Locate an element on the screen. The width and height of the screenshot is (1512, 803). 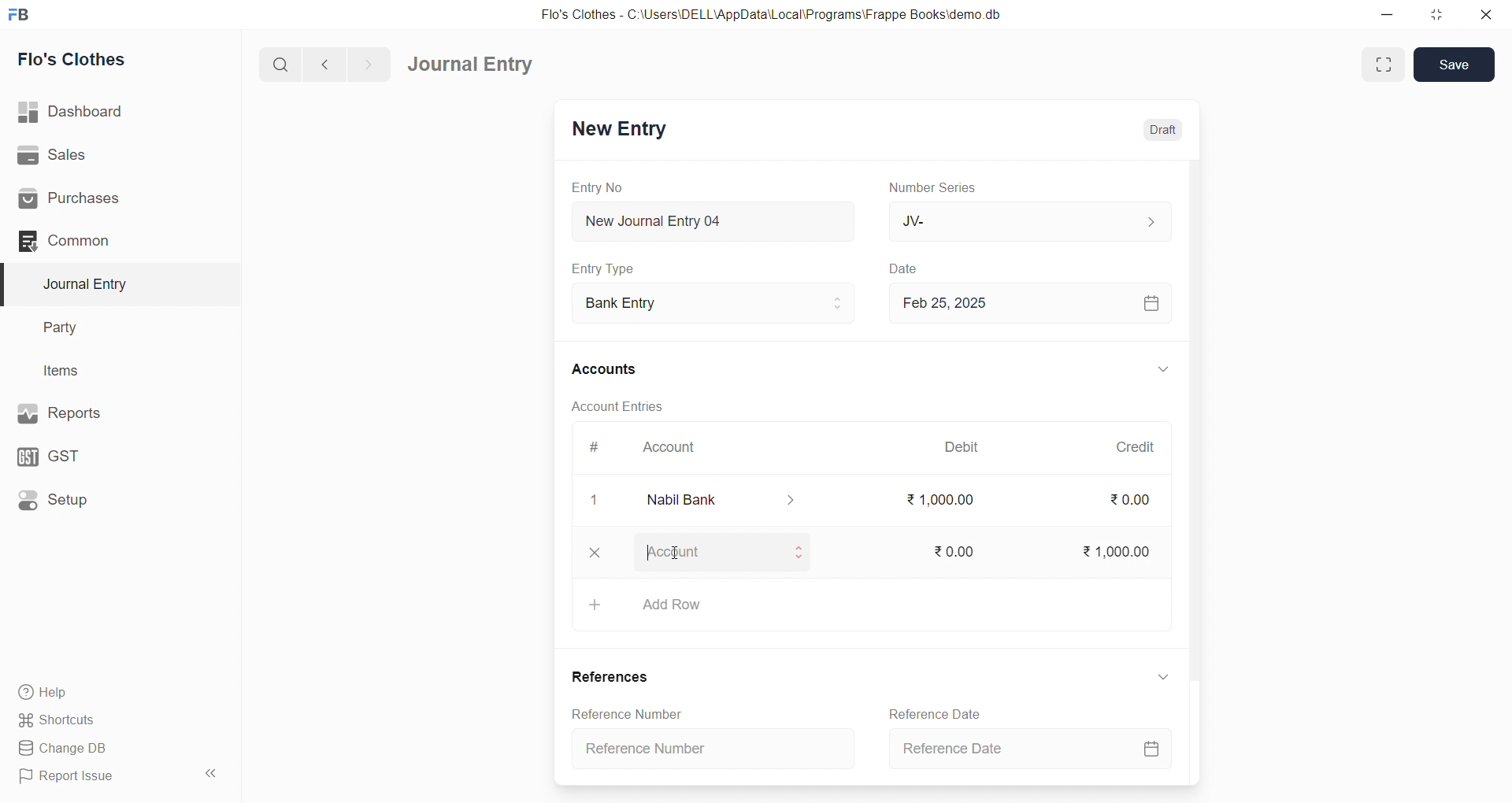
Reference Date is located at coordinates (940, 714).